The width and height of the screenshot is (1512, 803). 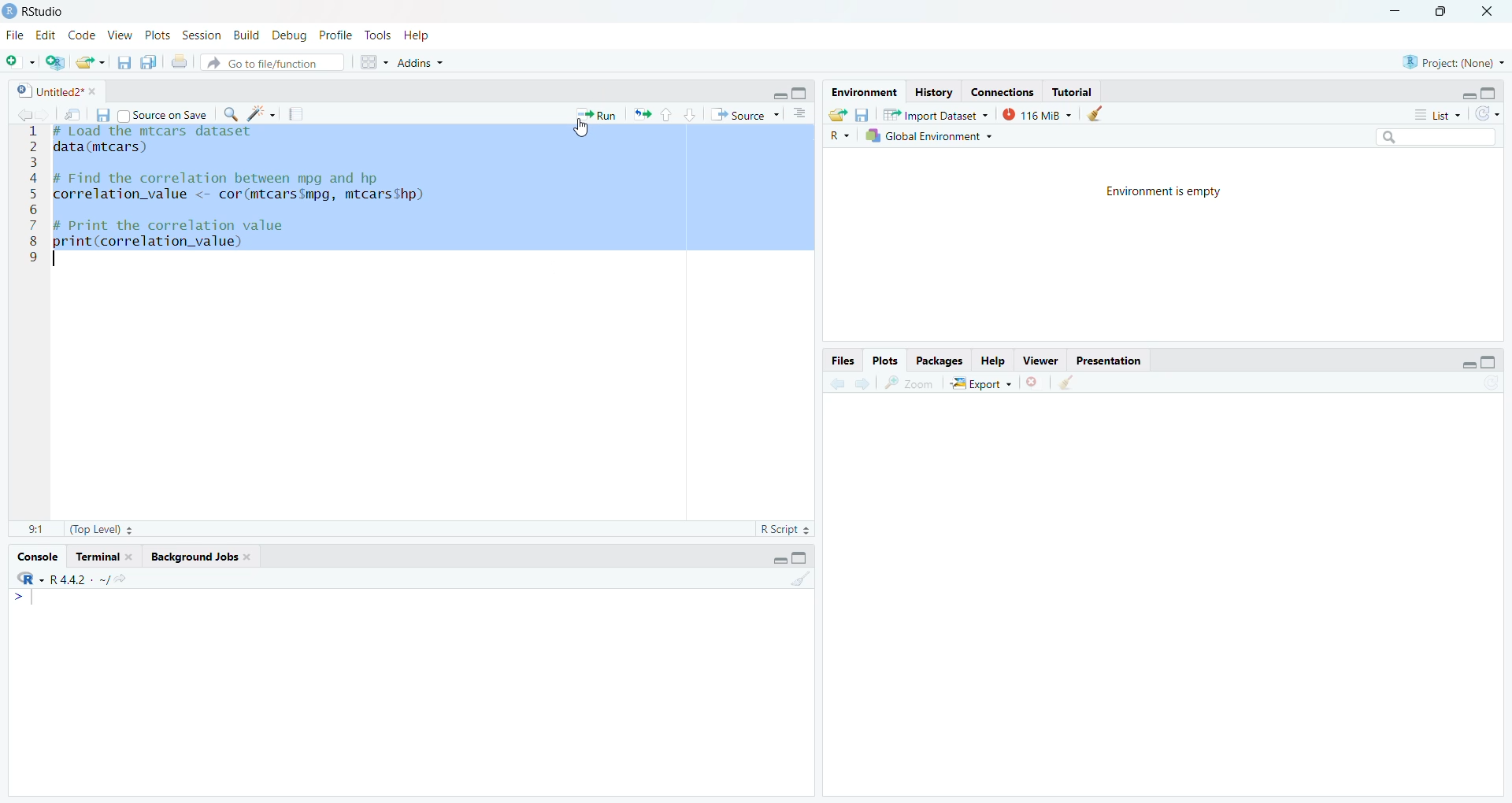 What do you see at coordinates (122, 62) in the screenshot?
I see `Save current document (Ctrl + S)` at bounding box center [122, 62].